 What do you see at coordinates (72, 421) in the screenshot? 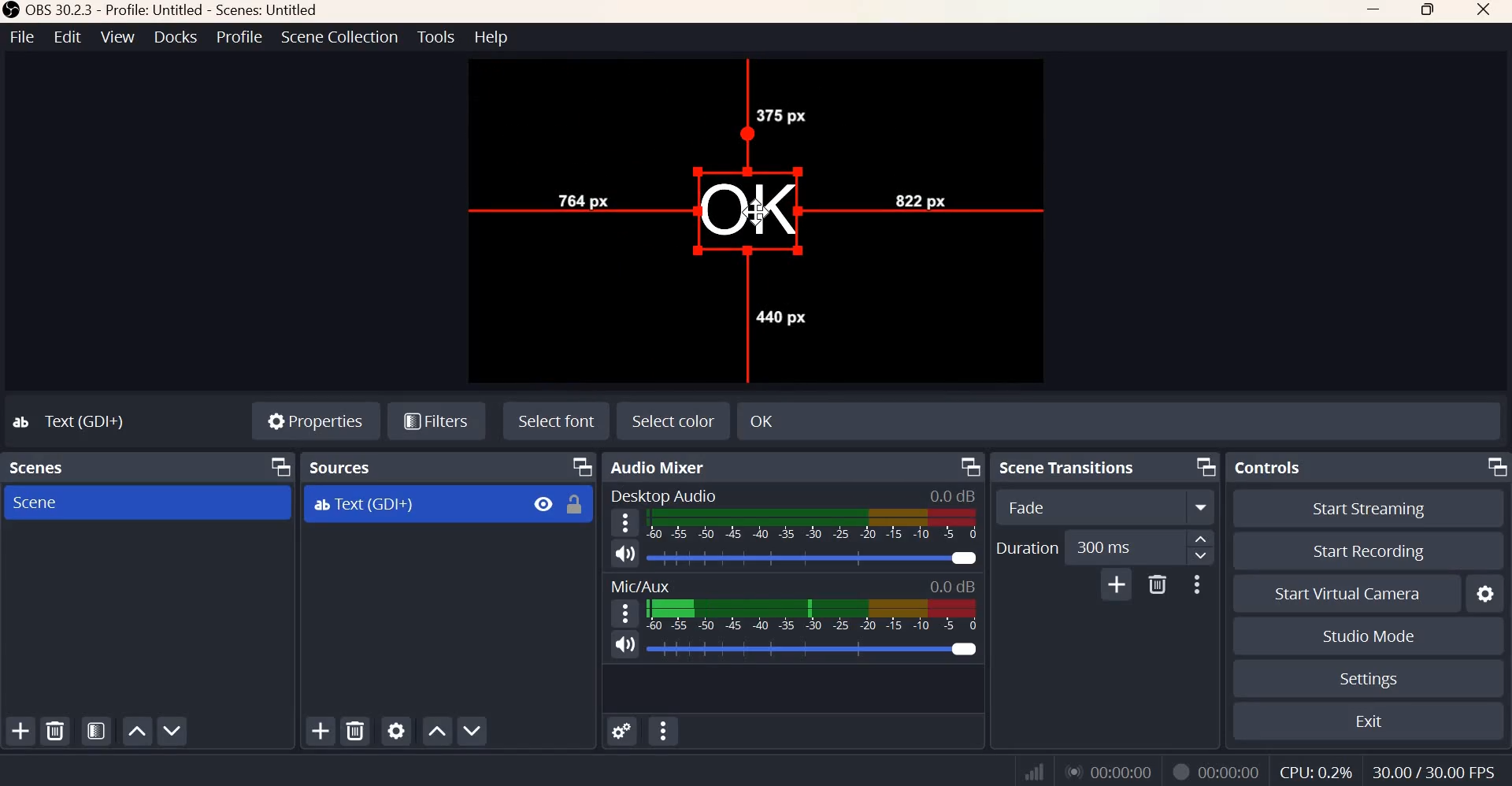
I see `Text(GDI+)` at bounding box center [72, 421].